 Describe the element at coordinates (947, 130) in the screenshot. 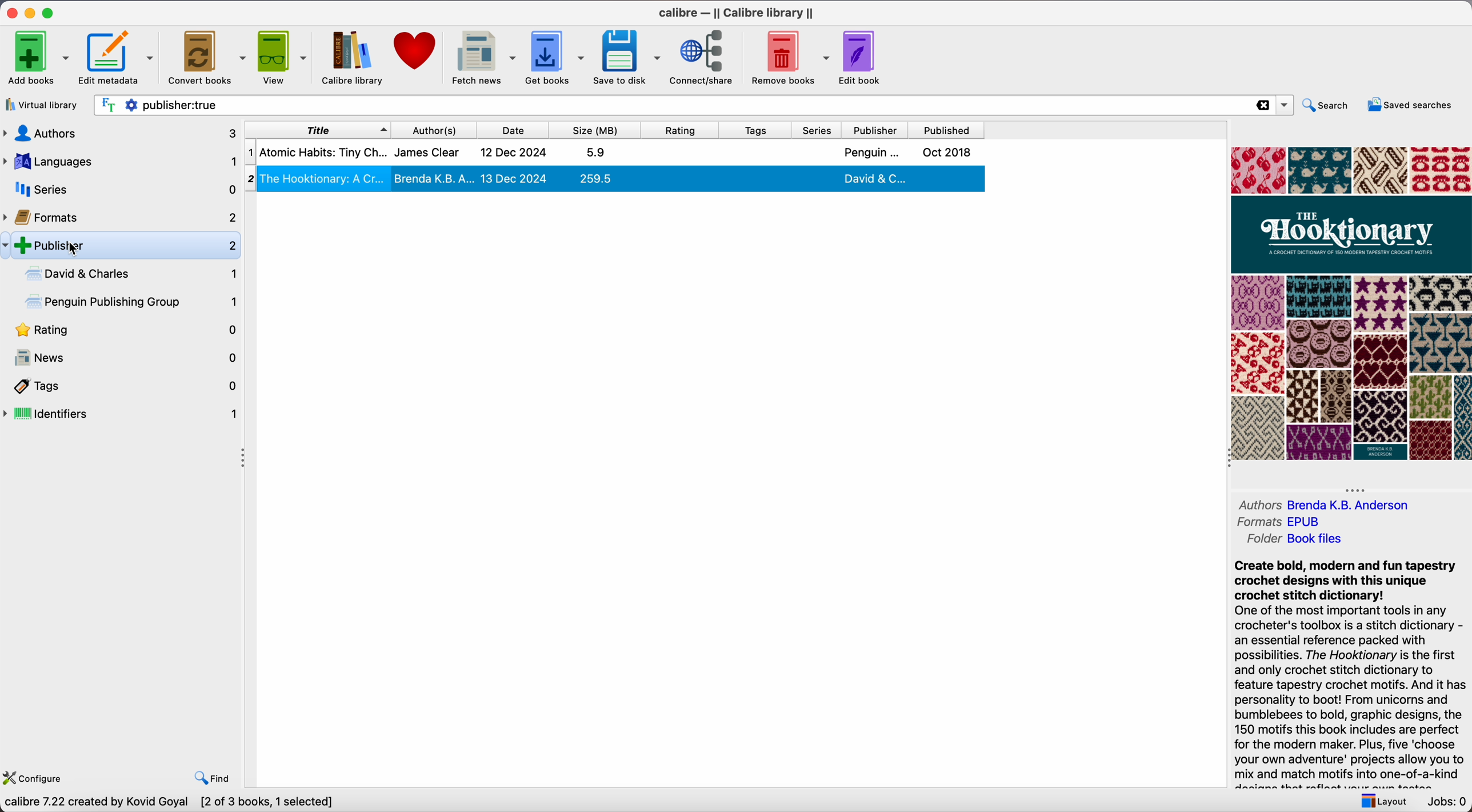

I see `published` at that location.